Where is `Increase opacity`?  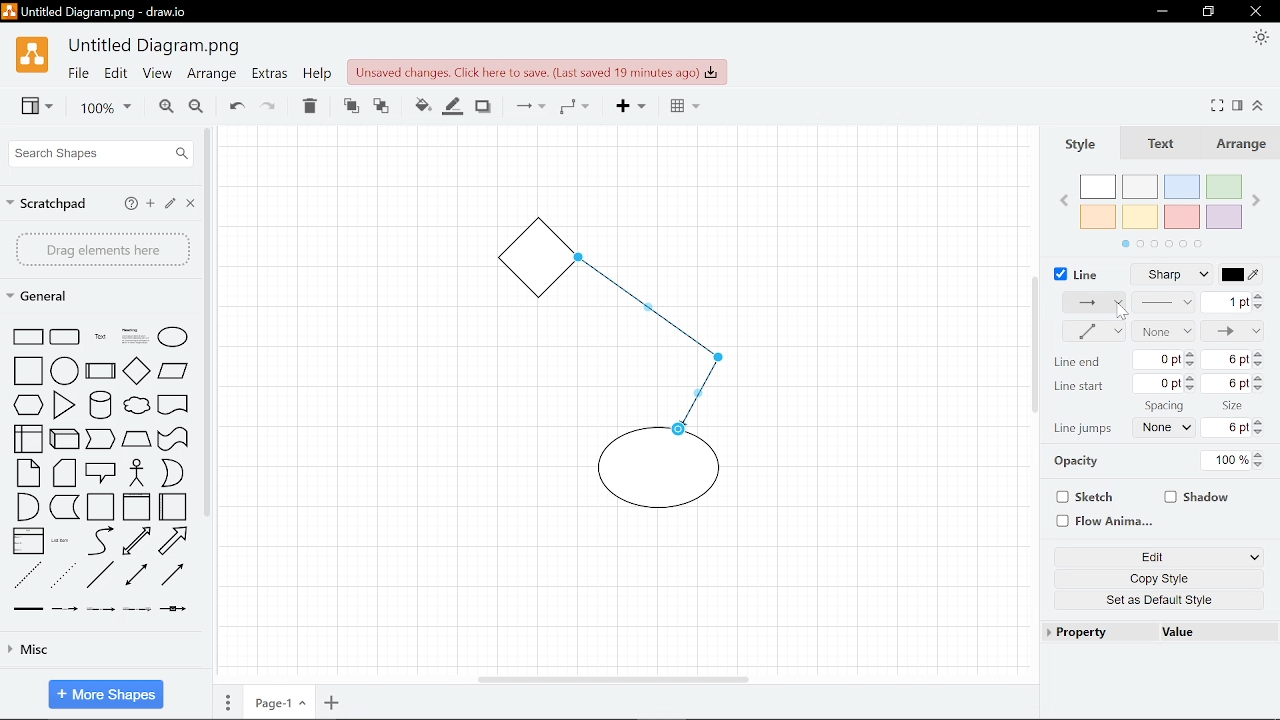
Increase opacity is located at coordinates (1261, 455).